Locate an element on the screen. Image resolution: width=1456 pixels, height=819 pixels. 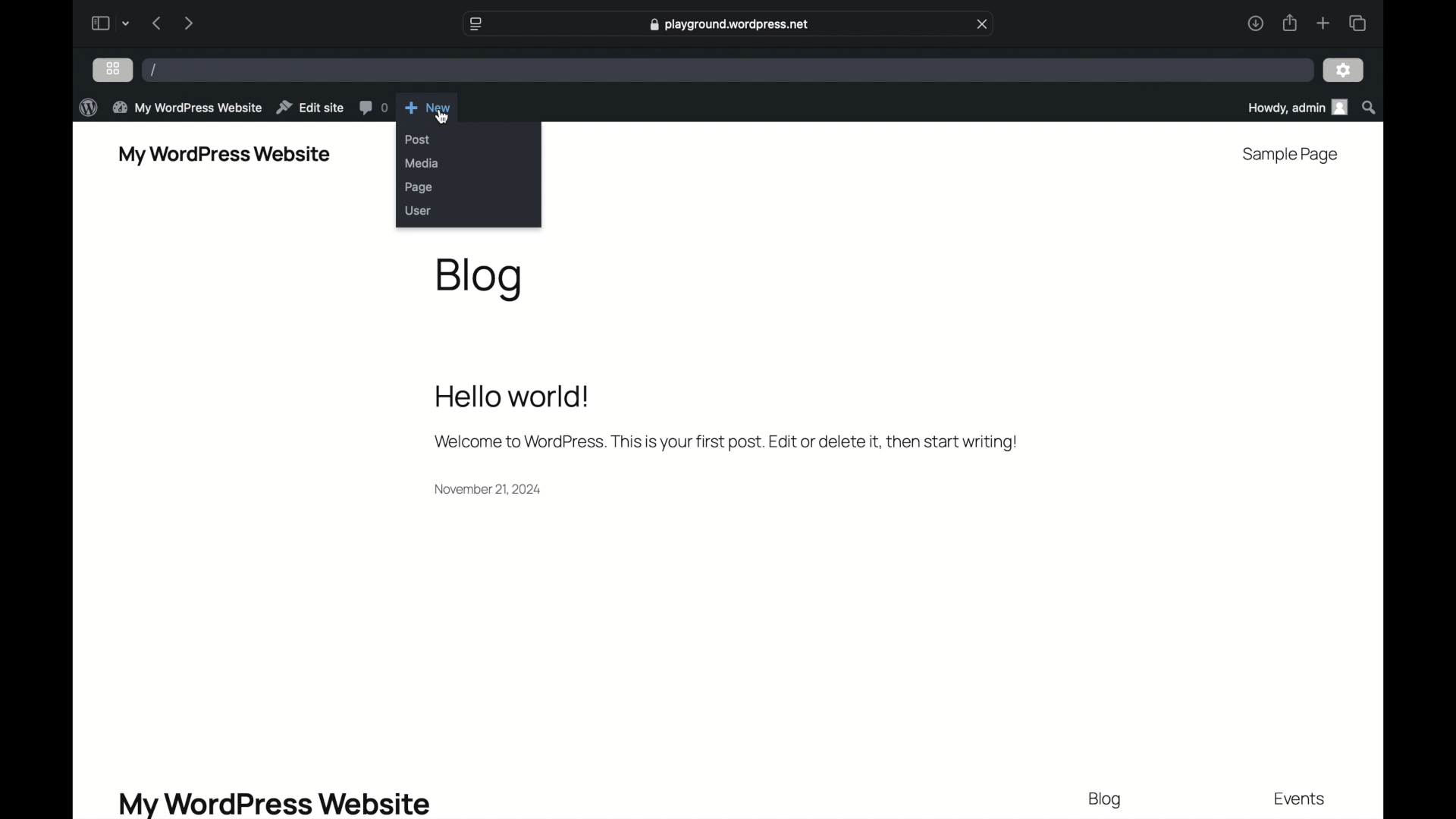
new tab is located at coordinates (1323, 23).